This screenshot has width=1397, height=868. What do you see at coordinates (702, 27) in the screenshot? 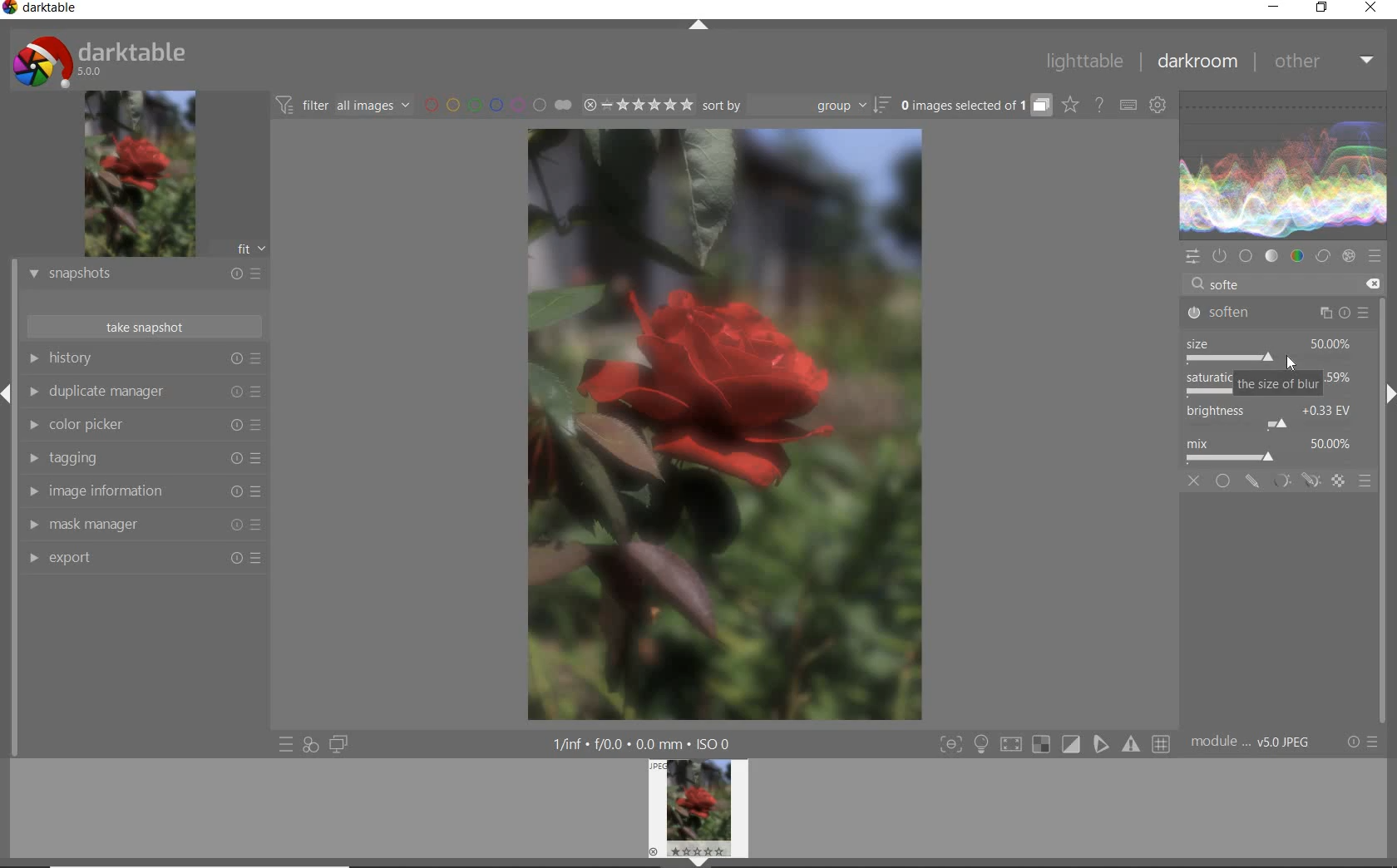
I see `expand/collapse` at bounding box center [702, 27].